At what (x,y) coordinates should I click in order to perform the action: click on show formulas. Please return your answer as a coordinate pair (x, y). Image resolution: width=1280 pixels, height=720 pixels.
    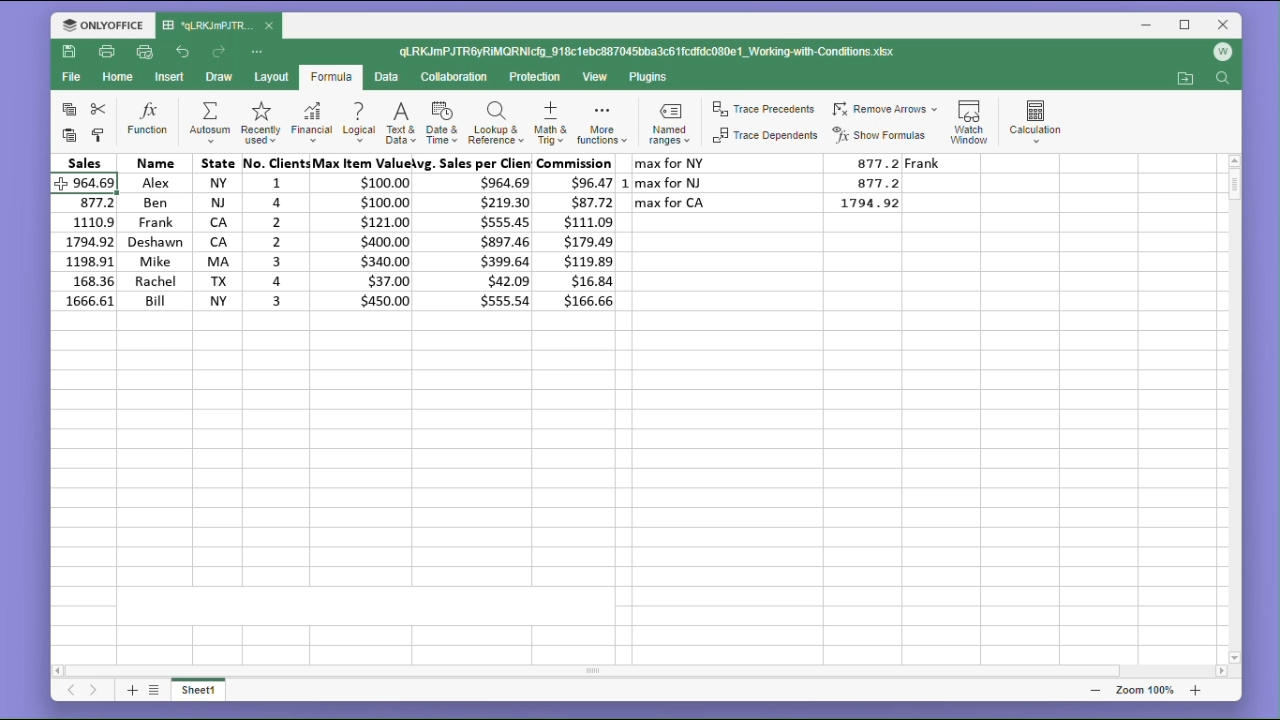
    Looking at the image, I should click on (884, 135).